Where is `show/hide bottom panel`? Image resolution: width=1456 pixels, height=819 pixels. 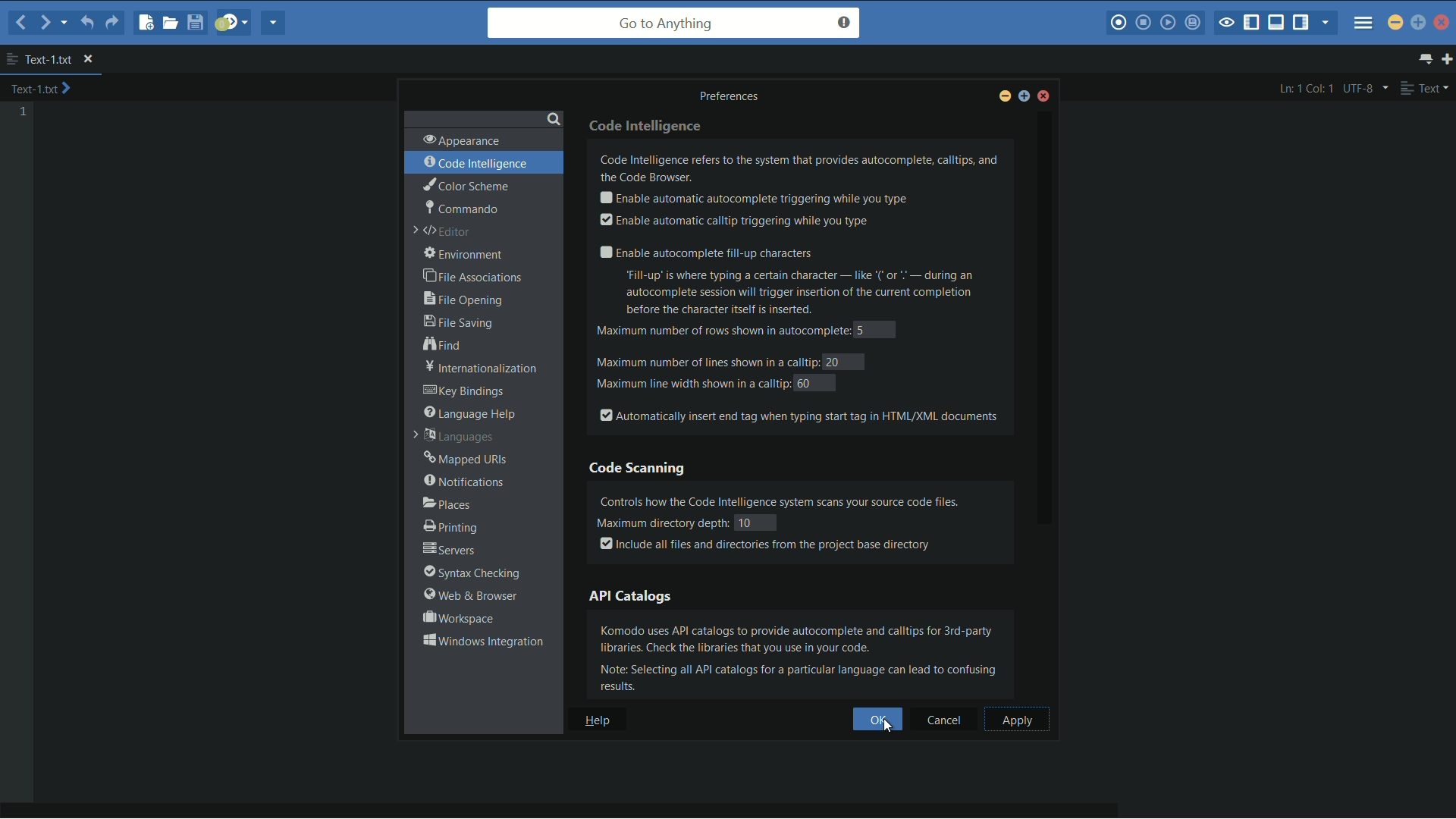
show/hide bottom panel is located at coordinates (1277, 23).